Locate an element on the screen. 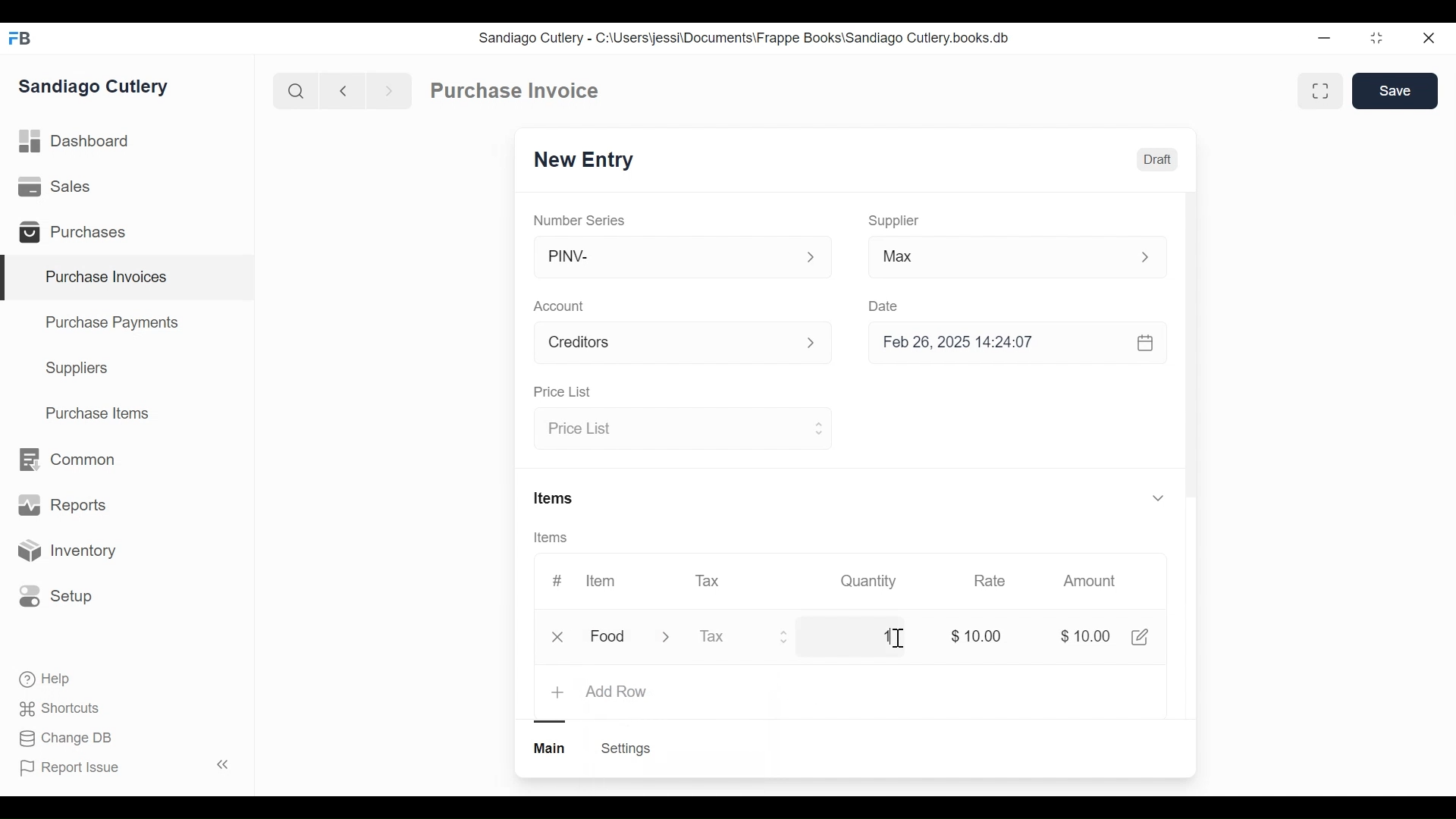 Image resolution: width=1456 pixels, height=819 pixels. Suppliers is located at coordinates (77, 369).